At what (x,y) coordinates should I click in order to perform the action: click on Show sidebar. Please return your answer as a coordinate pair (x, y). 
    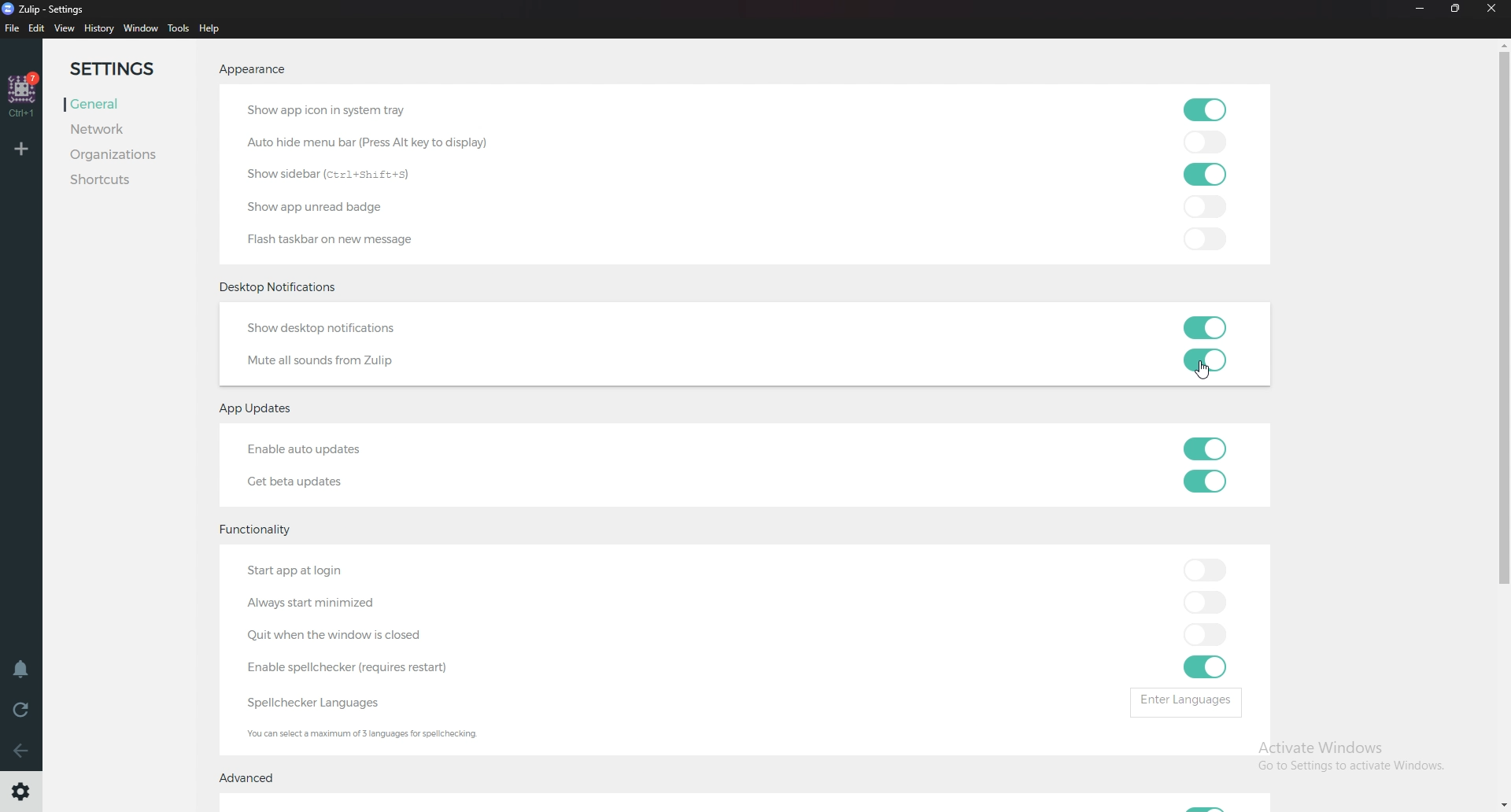
    Looking at the image, I should click on (338, 172).